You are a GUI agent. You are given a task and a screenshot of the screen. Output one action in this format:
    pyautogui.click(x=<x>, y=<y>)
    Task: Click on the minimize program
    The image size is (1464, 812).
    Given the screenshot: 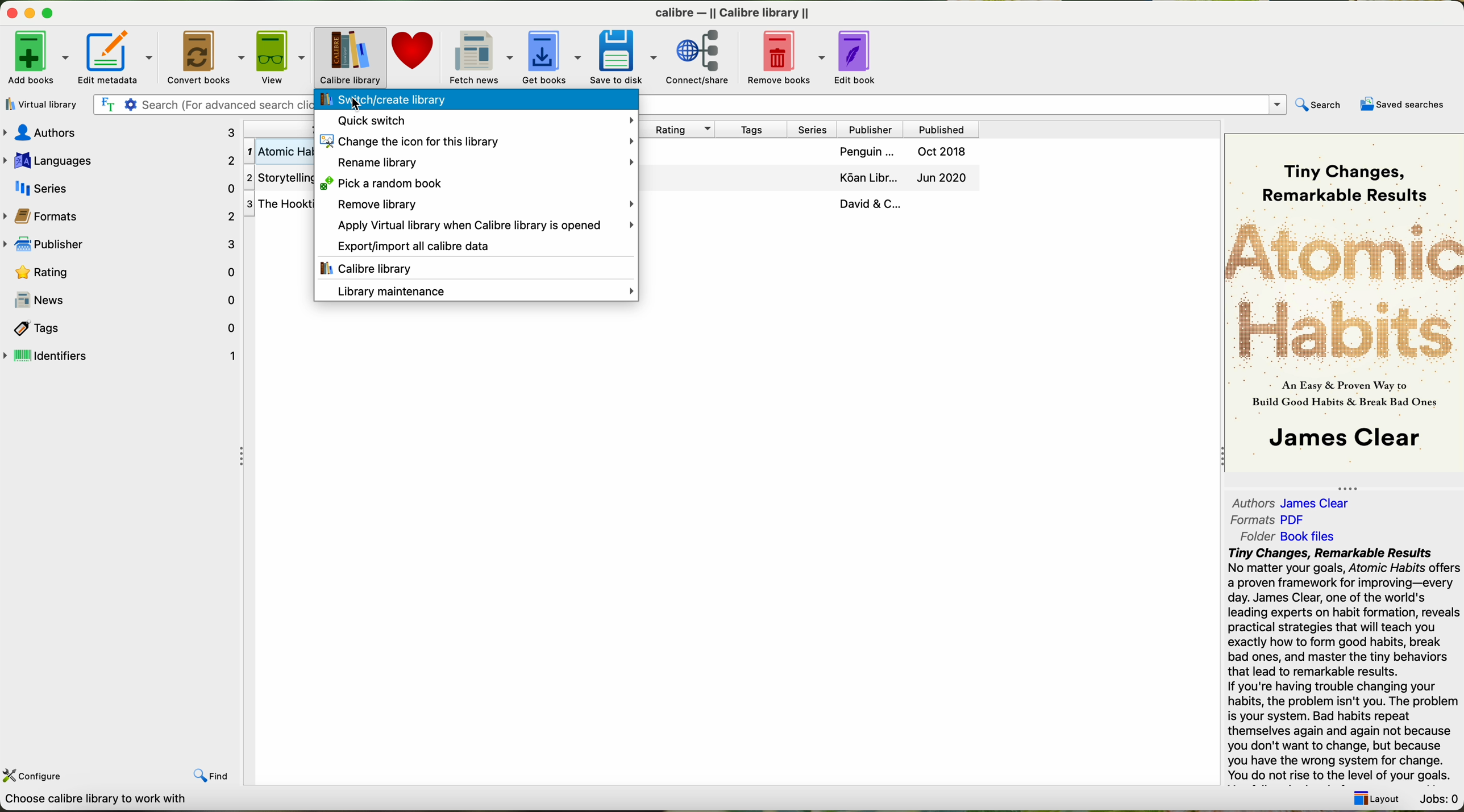 What is the action you would take?
    pyautogui.click(x=32, y=14)
    